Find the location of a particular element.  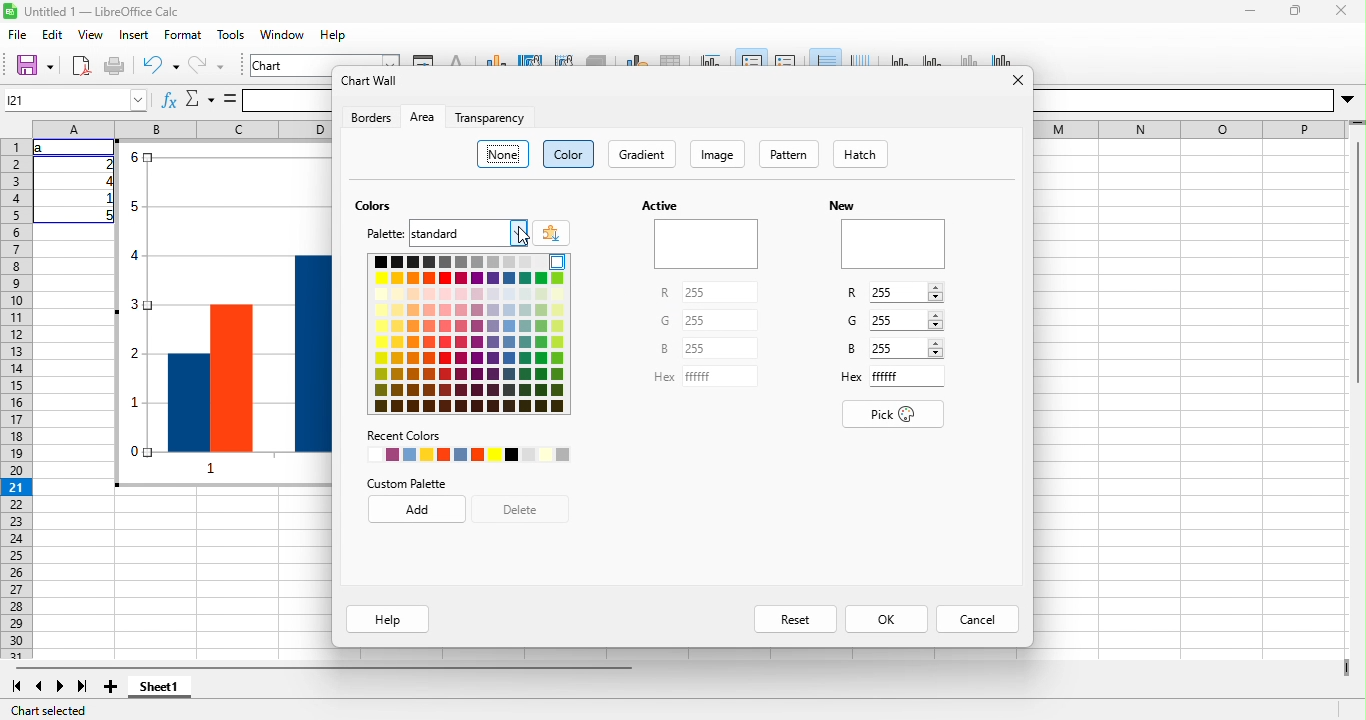

data range is located at coordinates (636, 59).